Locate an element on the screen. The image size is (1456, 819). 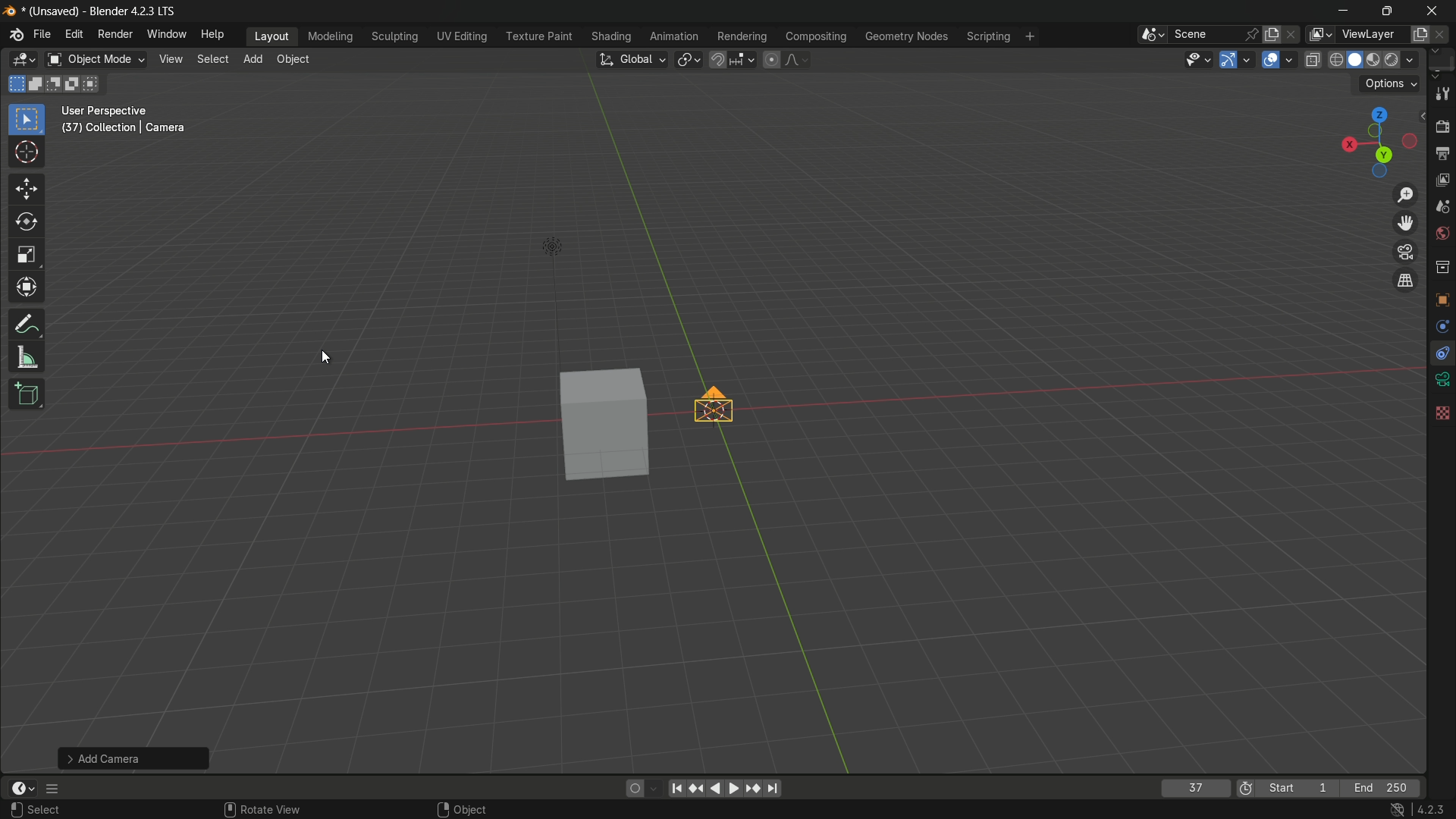
transform pivot table is located at coordinates (688, 61).